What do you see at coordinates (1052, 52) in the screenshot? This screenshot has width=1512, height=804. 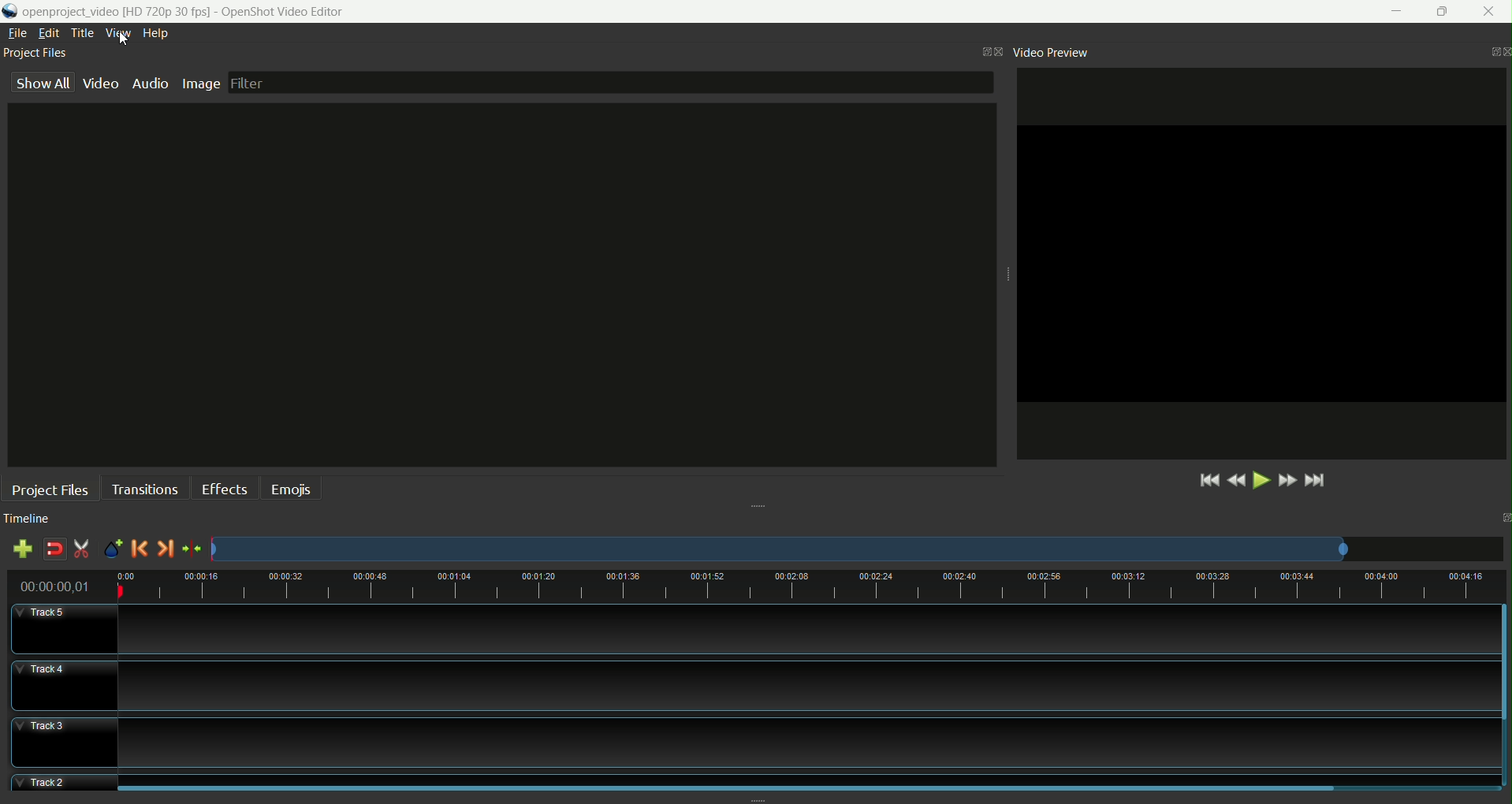 I see `video preview` at bounding box center [1052, 52].